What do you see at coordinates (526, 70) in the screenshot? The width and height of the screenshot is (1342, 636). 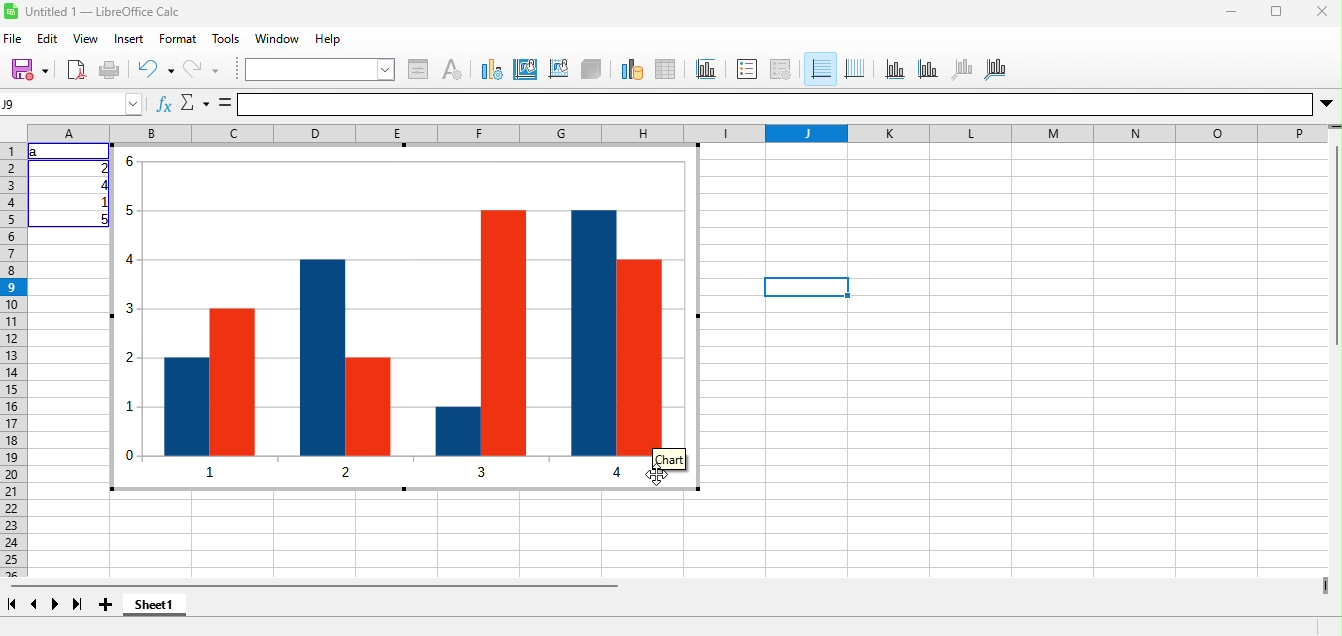 I see `chart area` at bounding box center [526, 70].